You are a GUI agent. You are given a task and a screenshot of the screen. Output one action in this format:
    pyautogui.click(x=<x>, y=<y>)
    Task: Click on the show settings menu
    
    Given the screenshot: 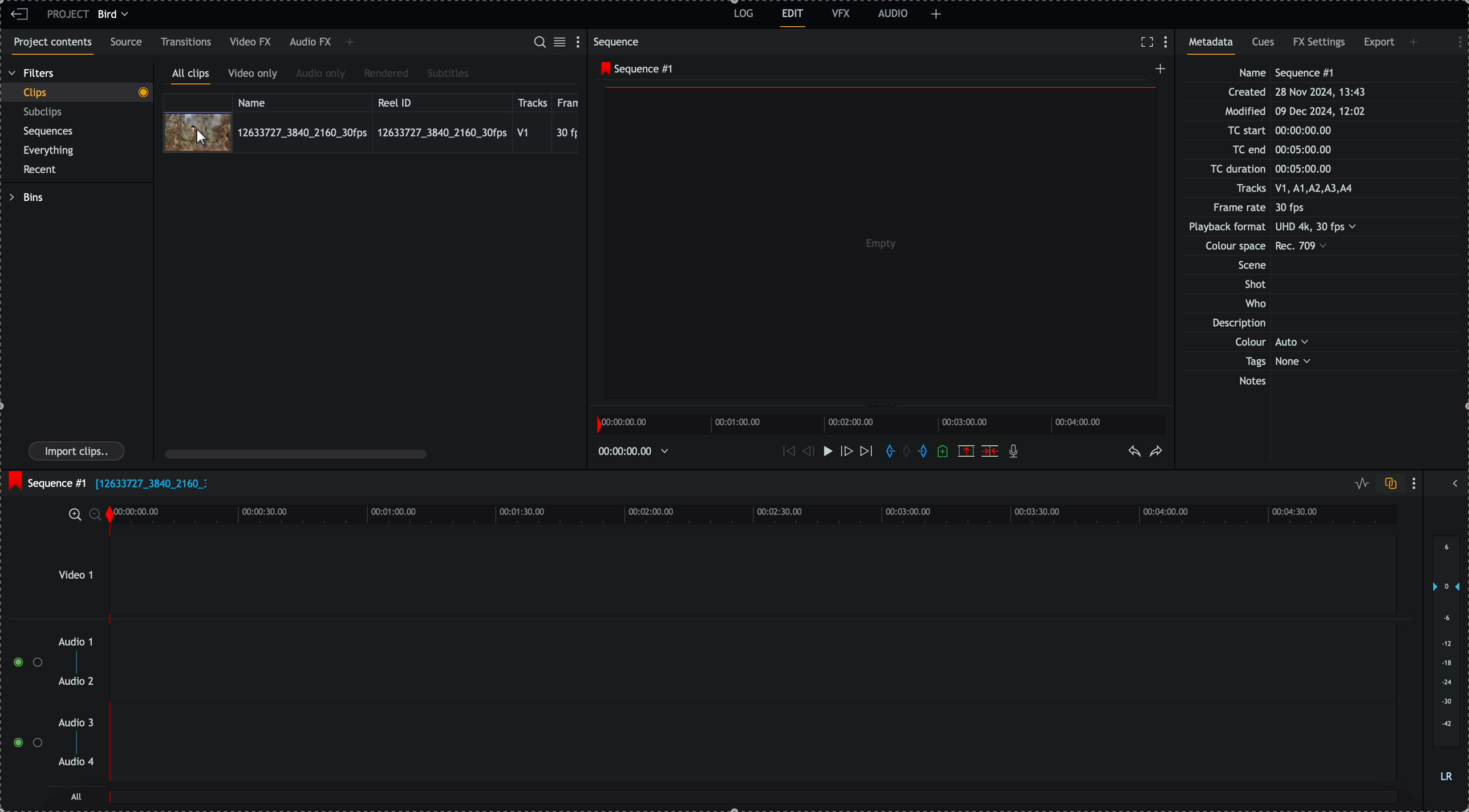 What is the action you would take?
    pyautogui.click(x=1168, y=43)
    